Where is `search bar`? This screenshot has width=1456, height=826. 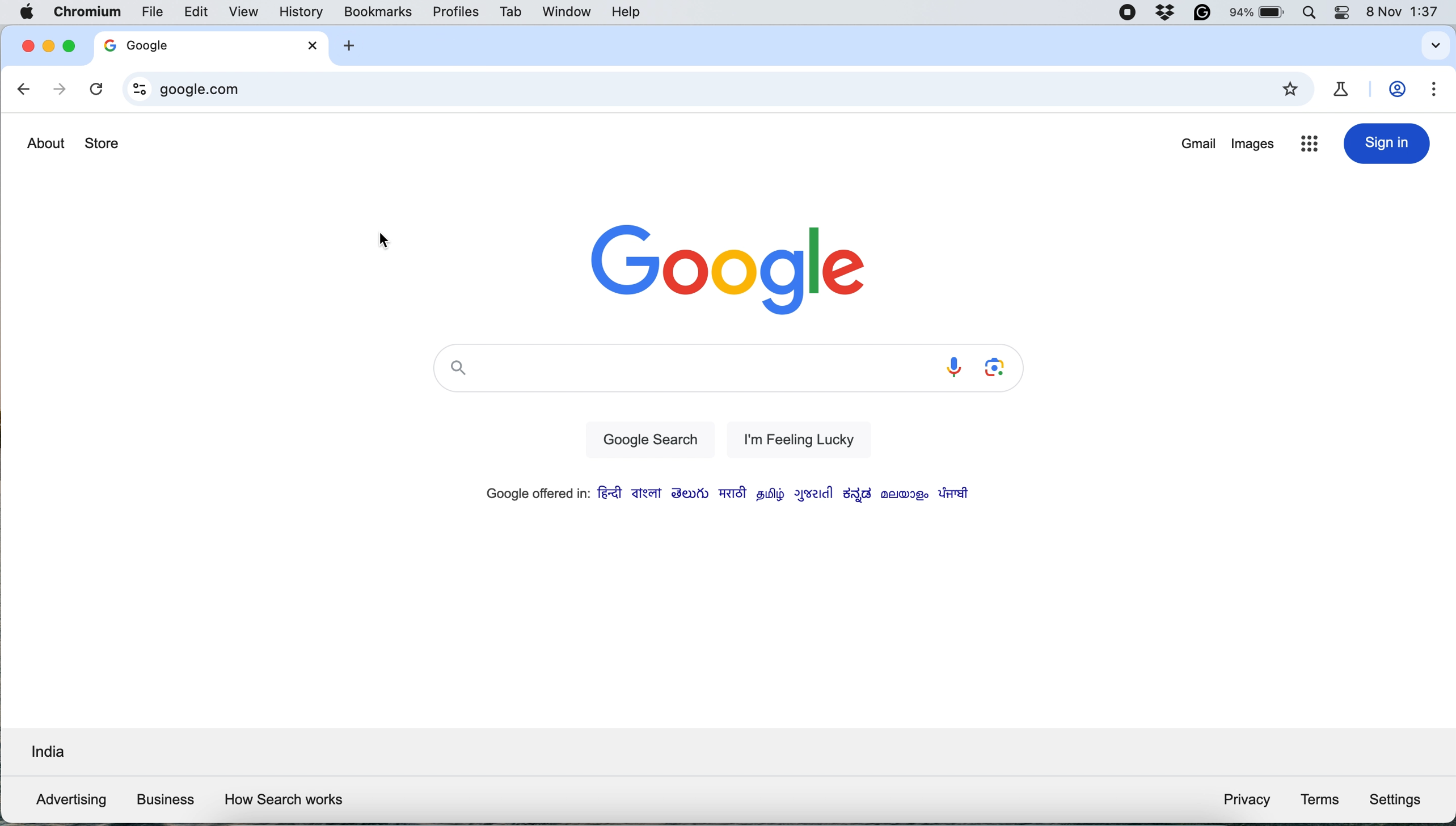
search bar is located at coordinates (680, 371).